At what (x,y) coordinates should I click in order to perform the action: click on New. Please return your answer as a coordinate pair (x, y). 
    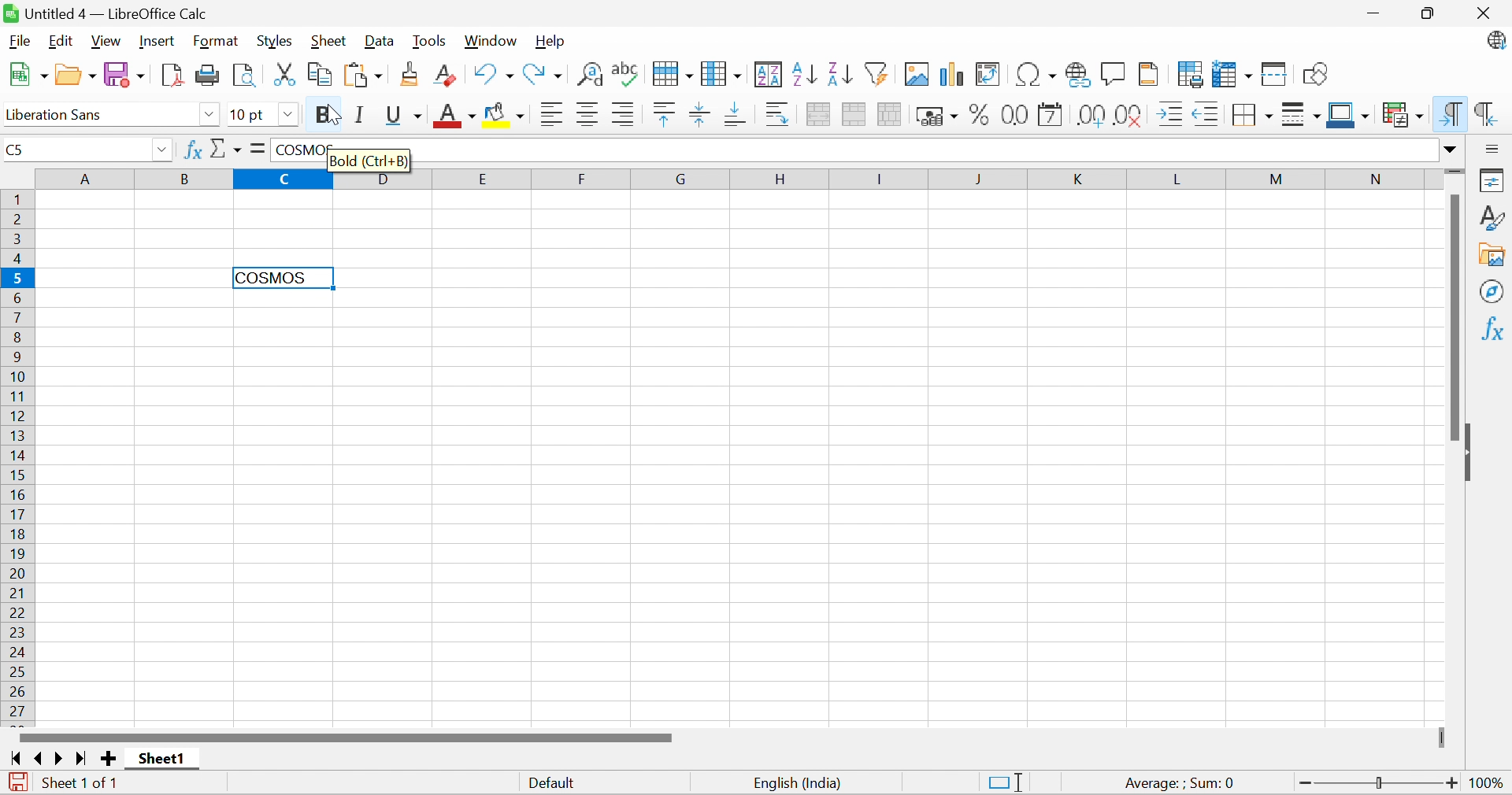
    Looking at the image, I should click on (24, 73).